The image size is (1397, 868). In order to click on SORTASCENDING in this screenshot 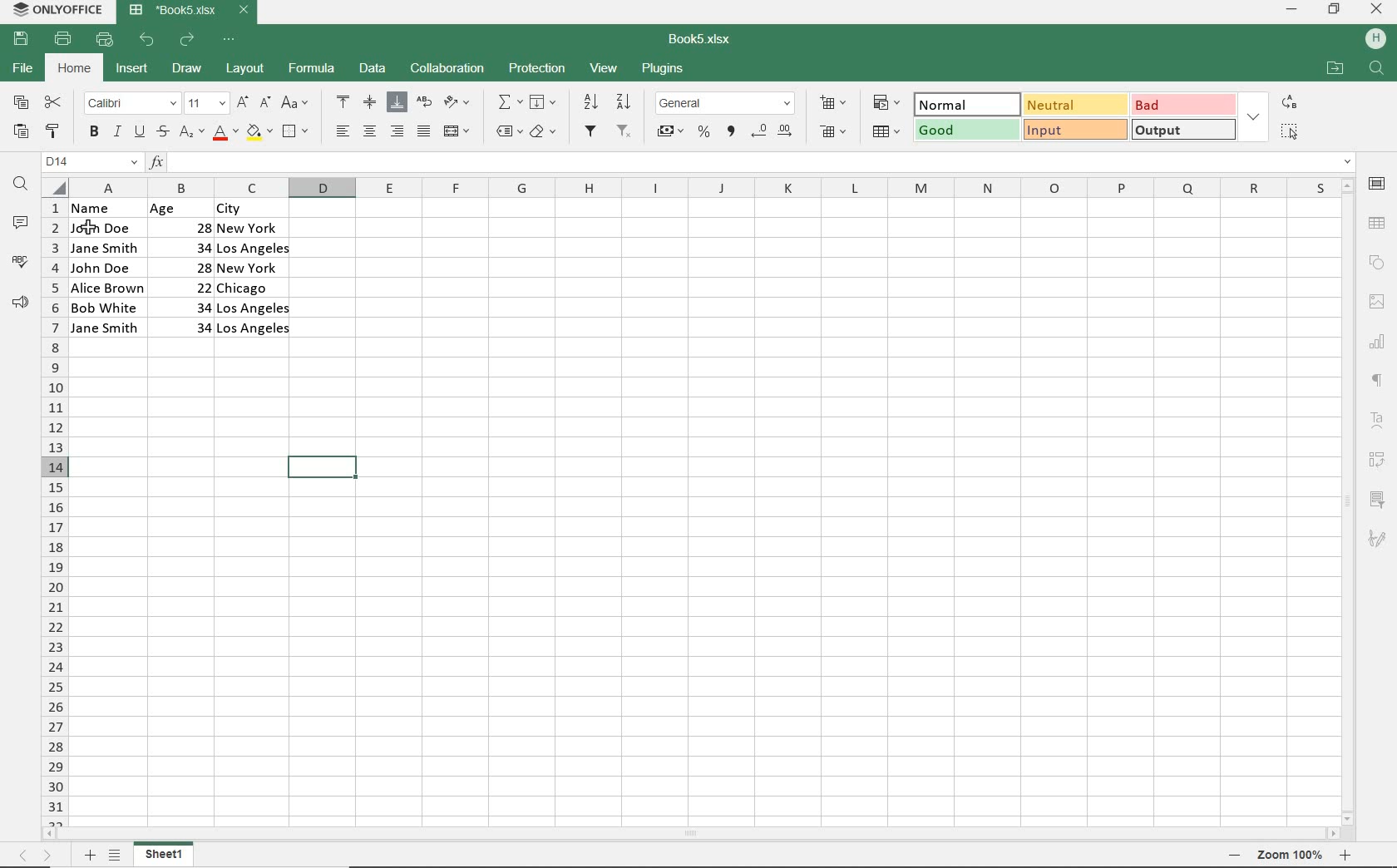, I will do `click(592, 102)`.